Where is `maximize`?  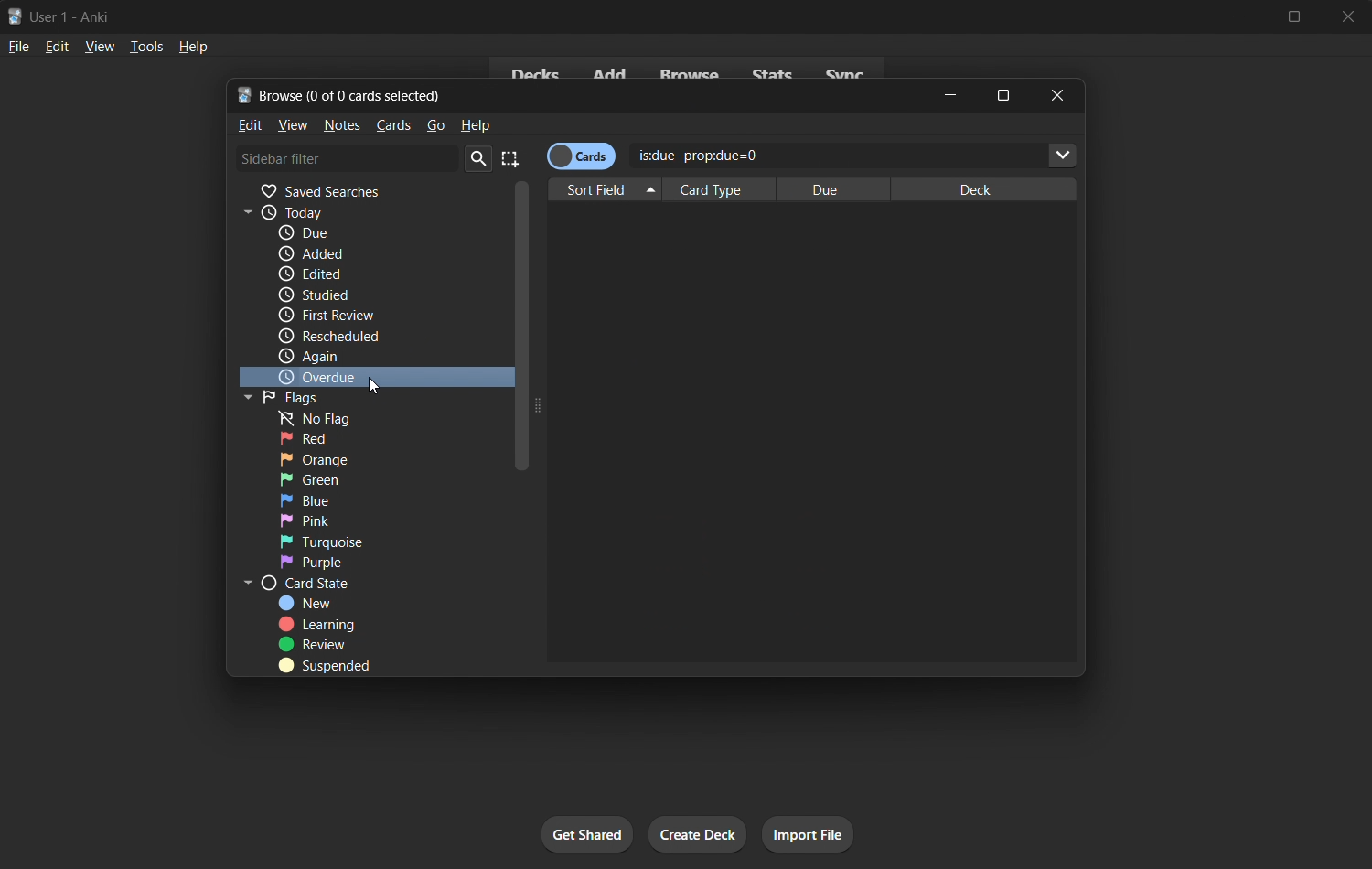
maximize is located at coordinates (1003, 94).